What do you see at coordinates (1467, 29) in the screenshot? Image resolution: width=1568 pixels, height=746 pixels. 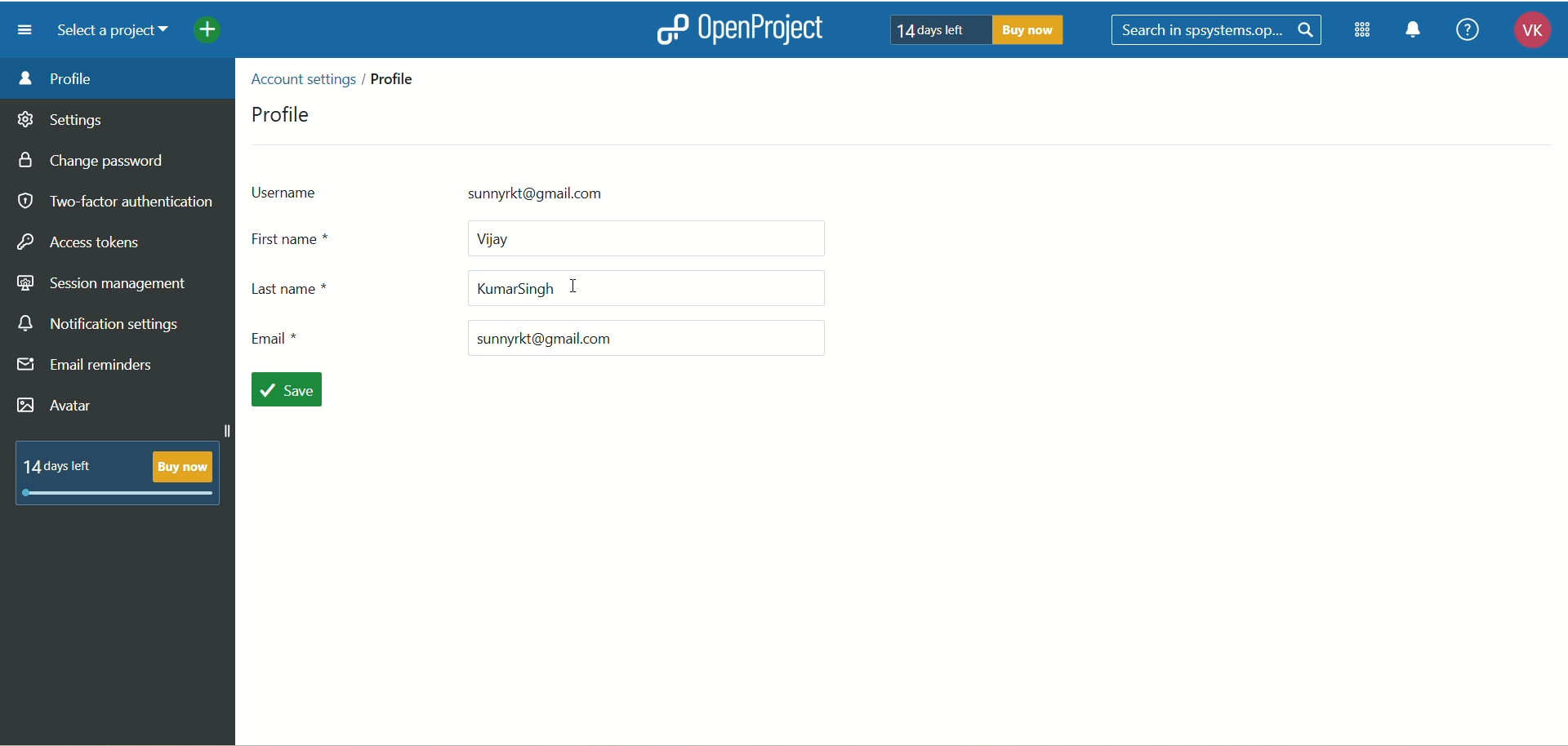 I see `help` at bounding box center [1467, 29].